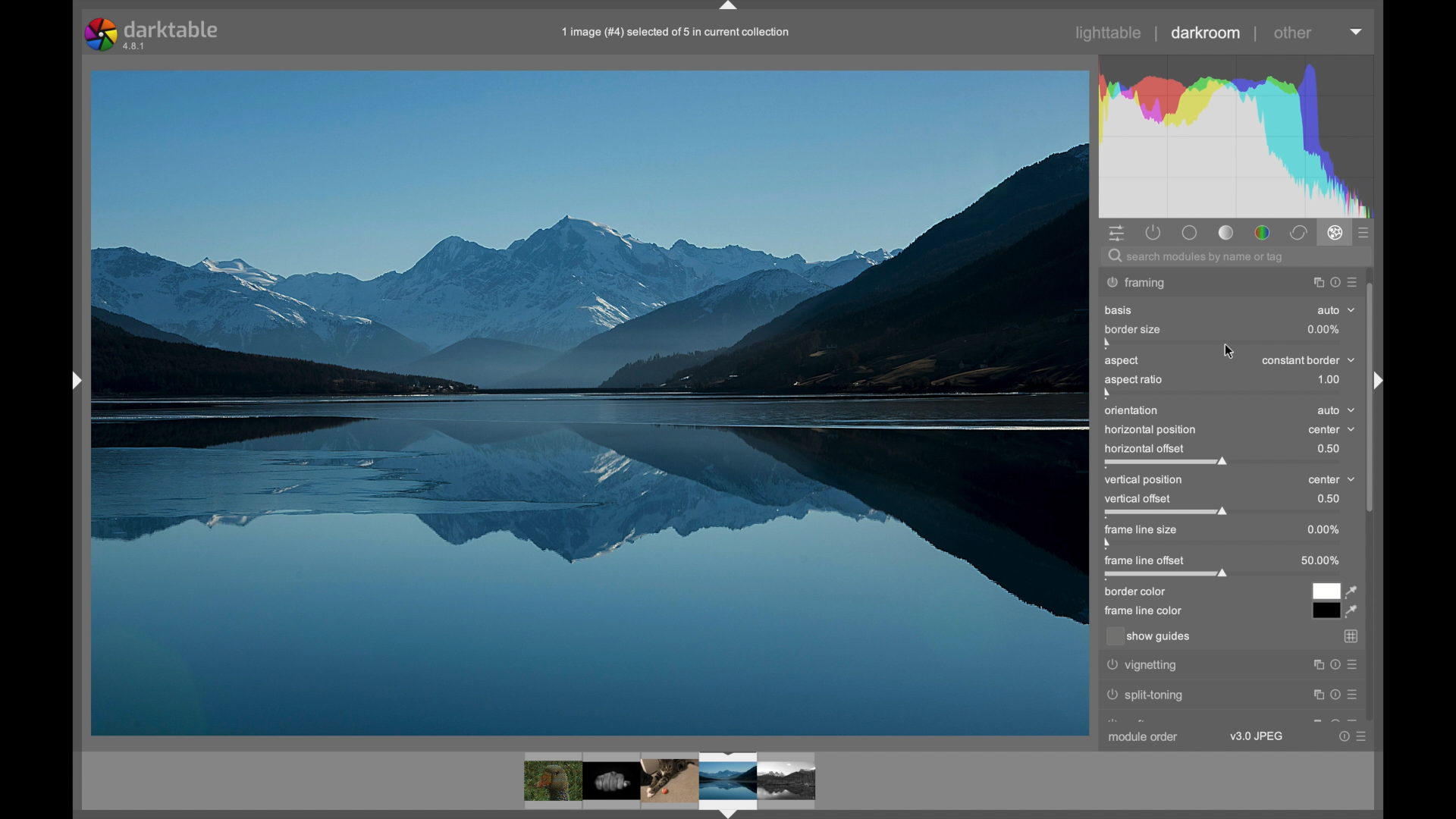 This screenshot has height=819, width=1456. What do you see at coordinates (1144, 735) in the screenshot?
I see `module order` at bounding box center [1144, 735].